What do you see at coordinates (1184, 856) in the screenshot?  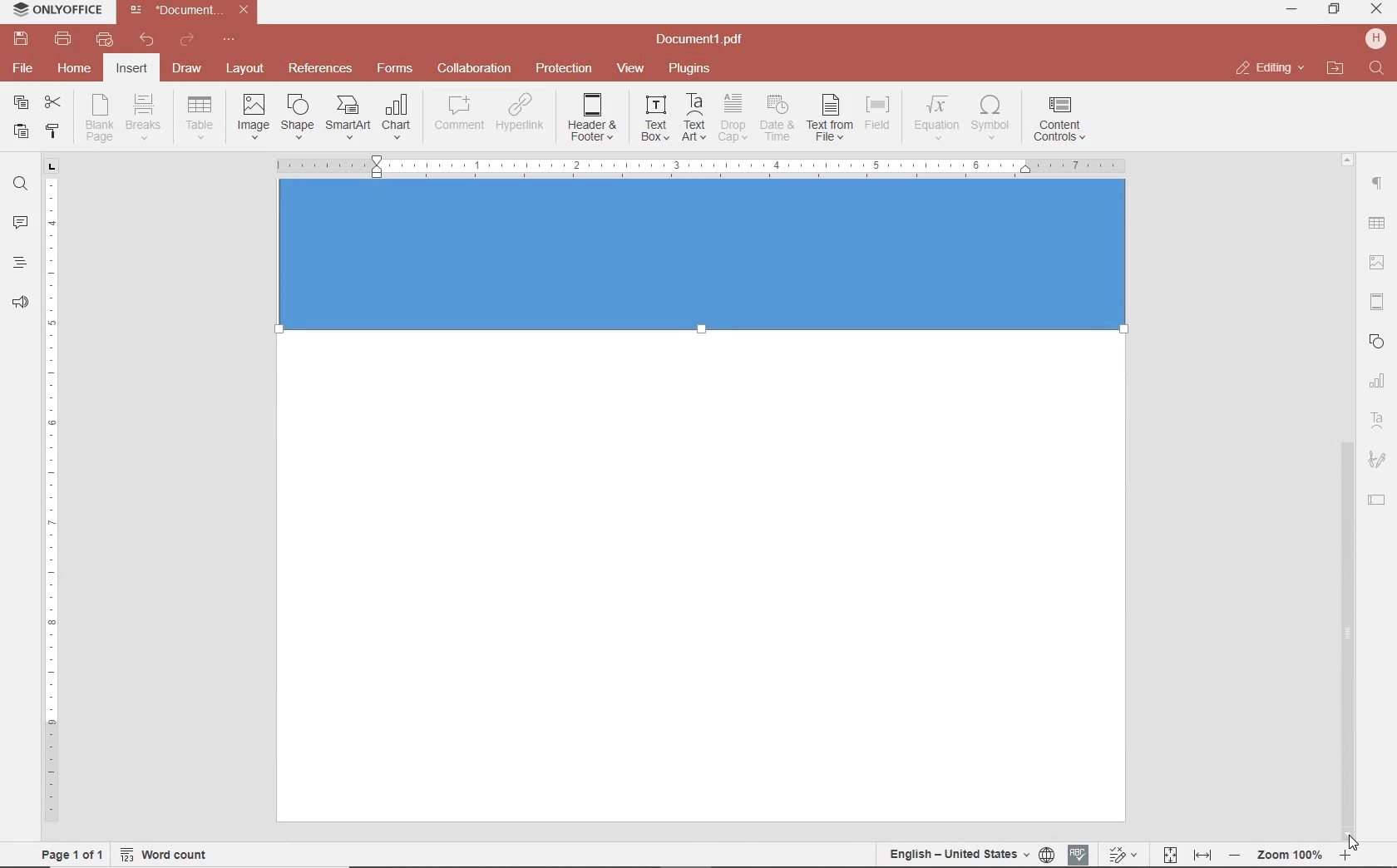 I see `fit to page and width` at bounding box center [1184, 856].